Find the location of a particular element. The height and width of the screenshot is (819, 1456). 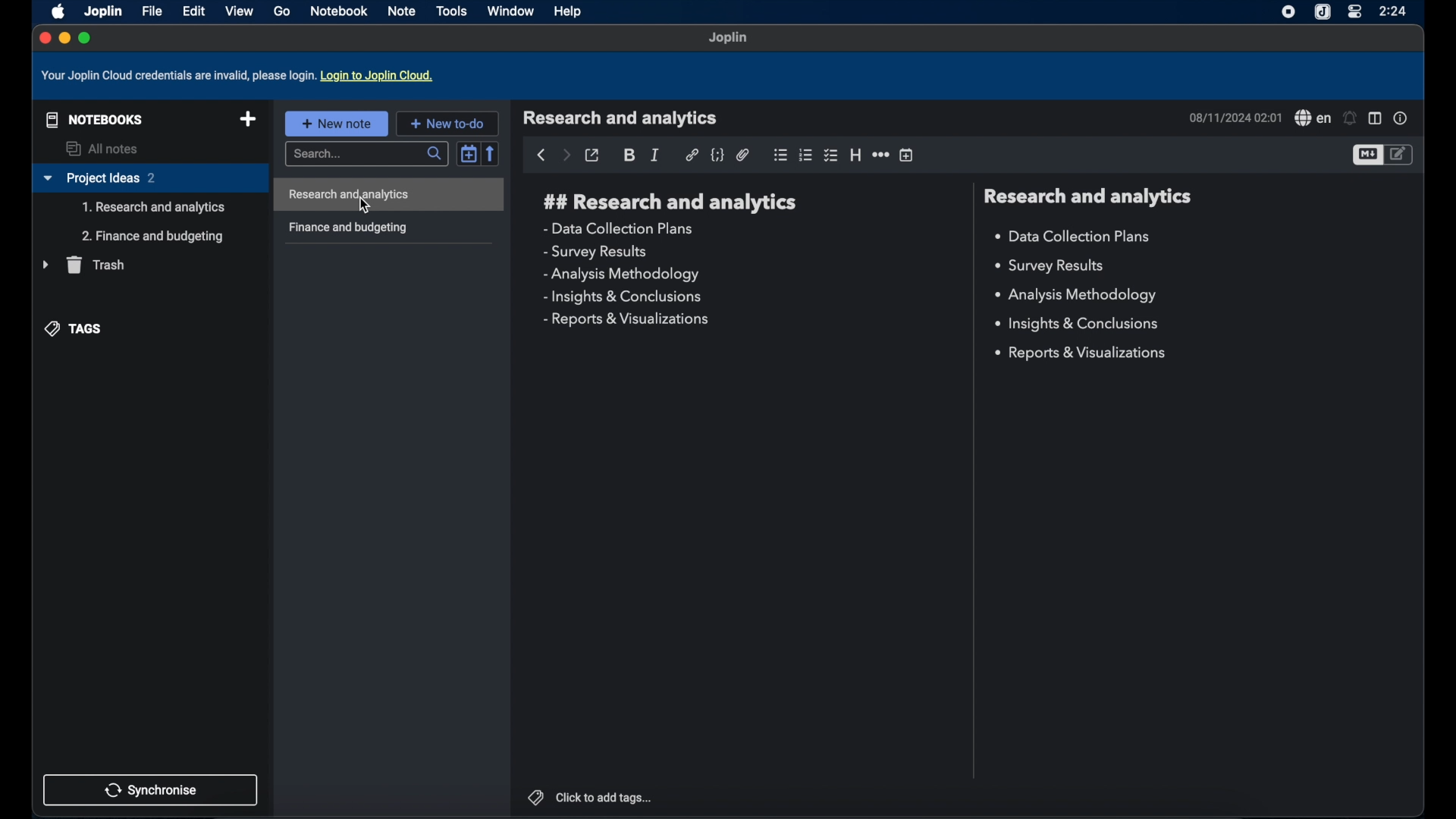

help is located at coordinates (569, 13).